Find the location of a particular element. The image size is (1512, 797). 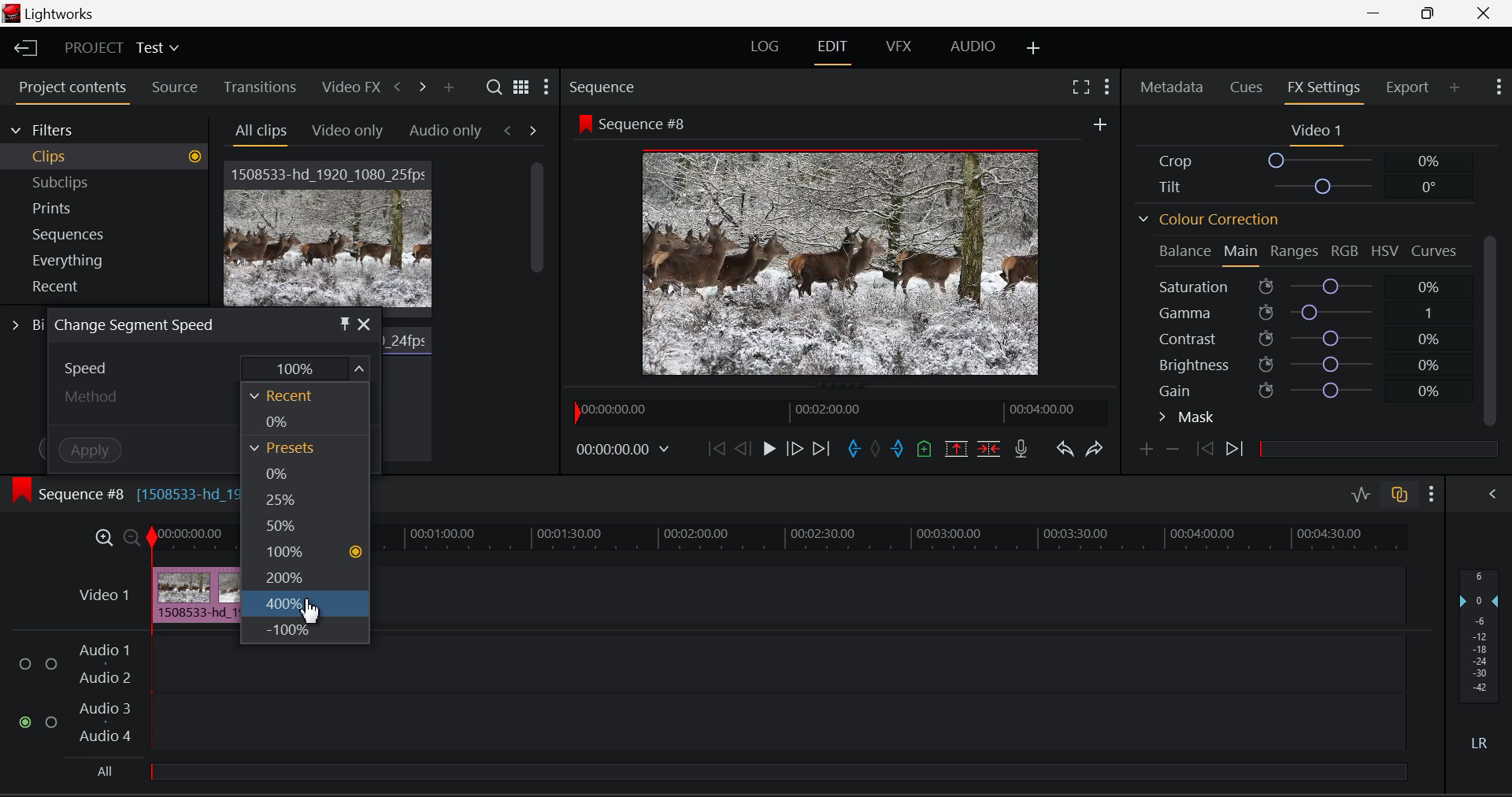

Video Frame Time is located at coordinates (621, 447).